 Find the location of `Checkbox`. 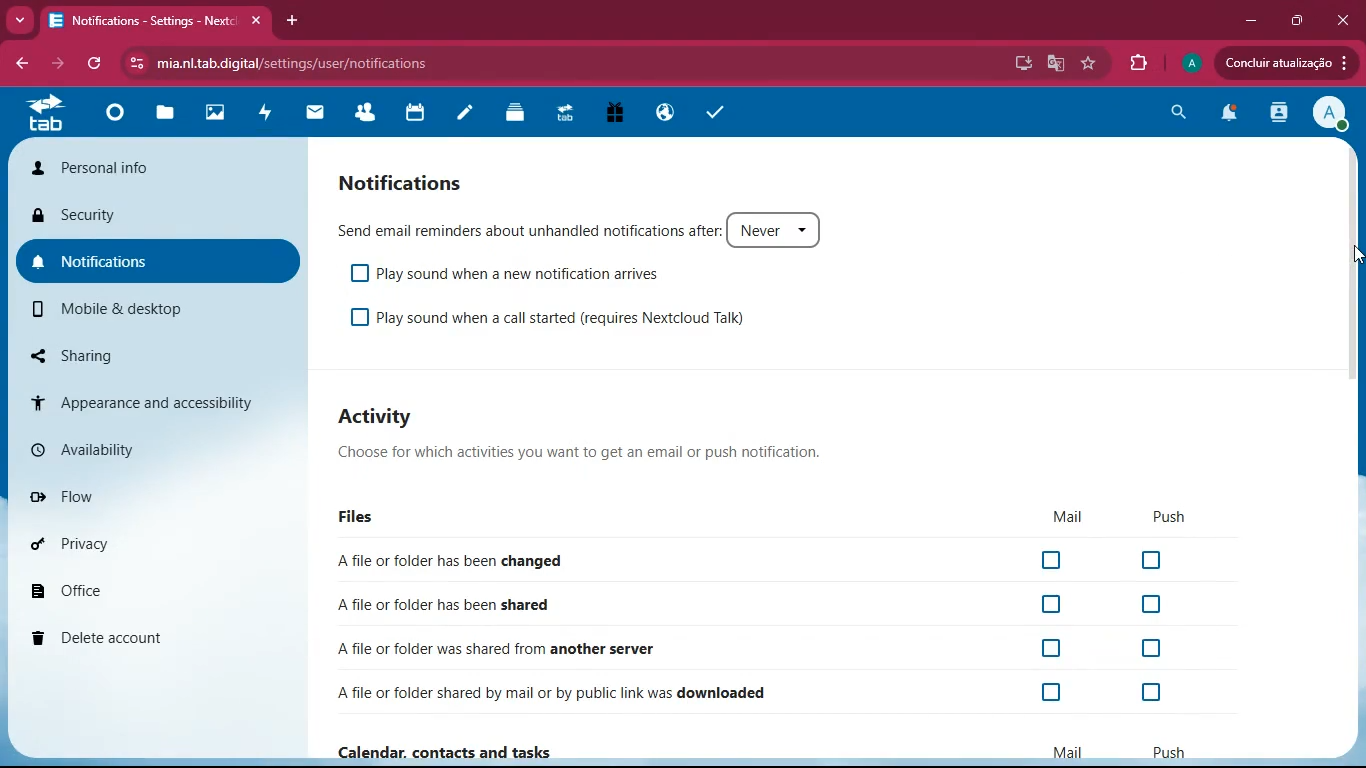

Checkbox is located at coordinates (1147, 607).